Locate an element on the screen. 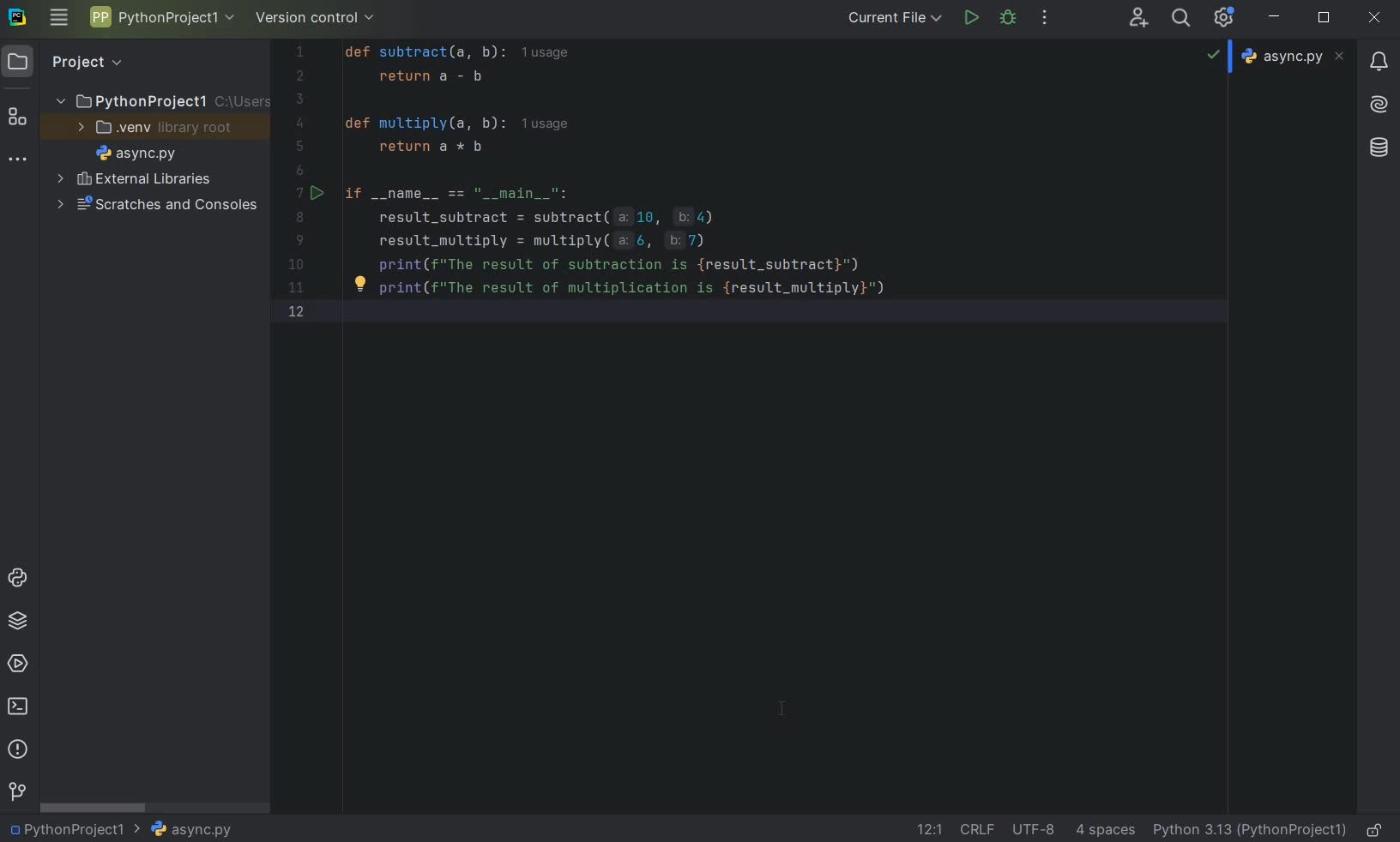 This screenshot has width=1400, height=842. FILE NAME is located at coordinates (132, 154).